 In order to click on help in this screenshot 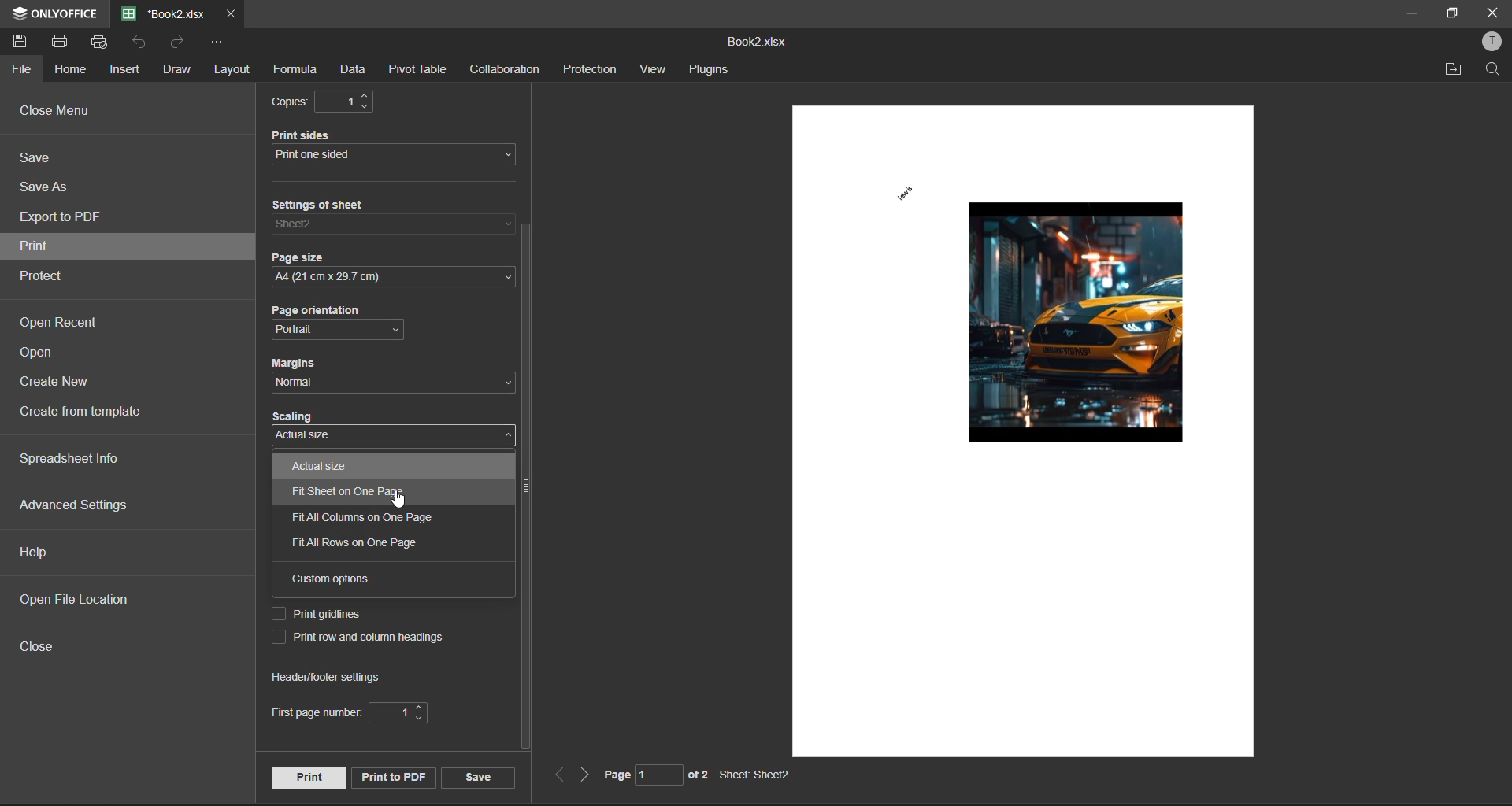, I will do `click(38, 553)`.